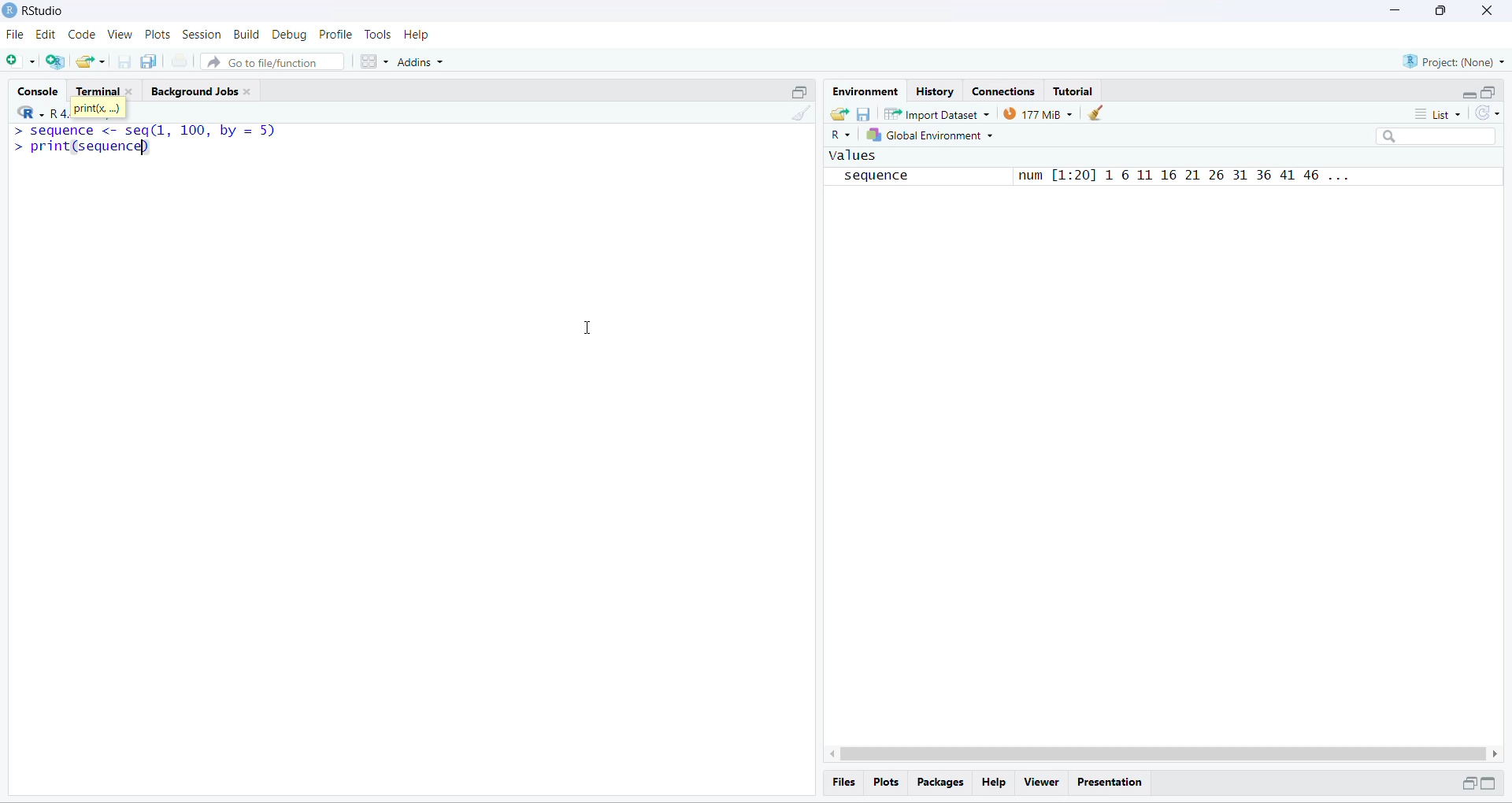 The width and height of the screenshot is (1512, 803). Describe the element at coordinates (158, 35) in the screenshot. I see `plots` at that location.